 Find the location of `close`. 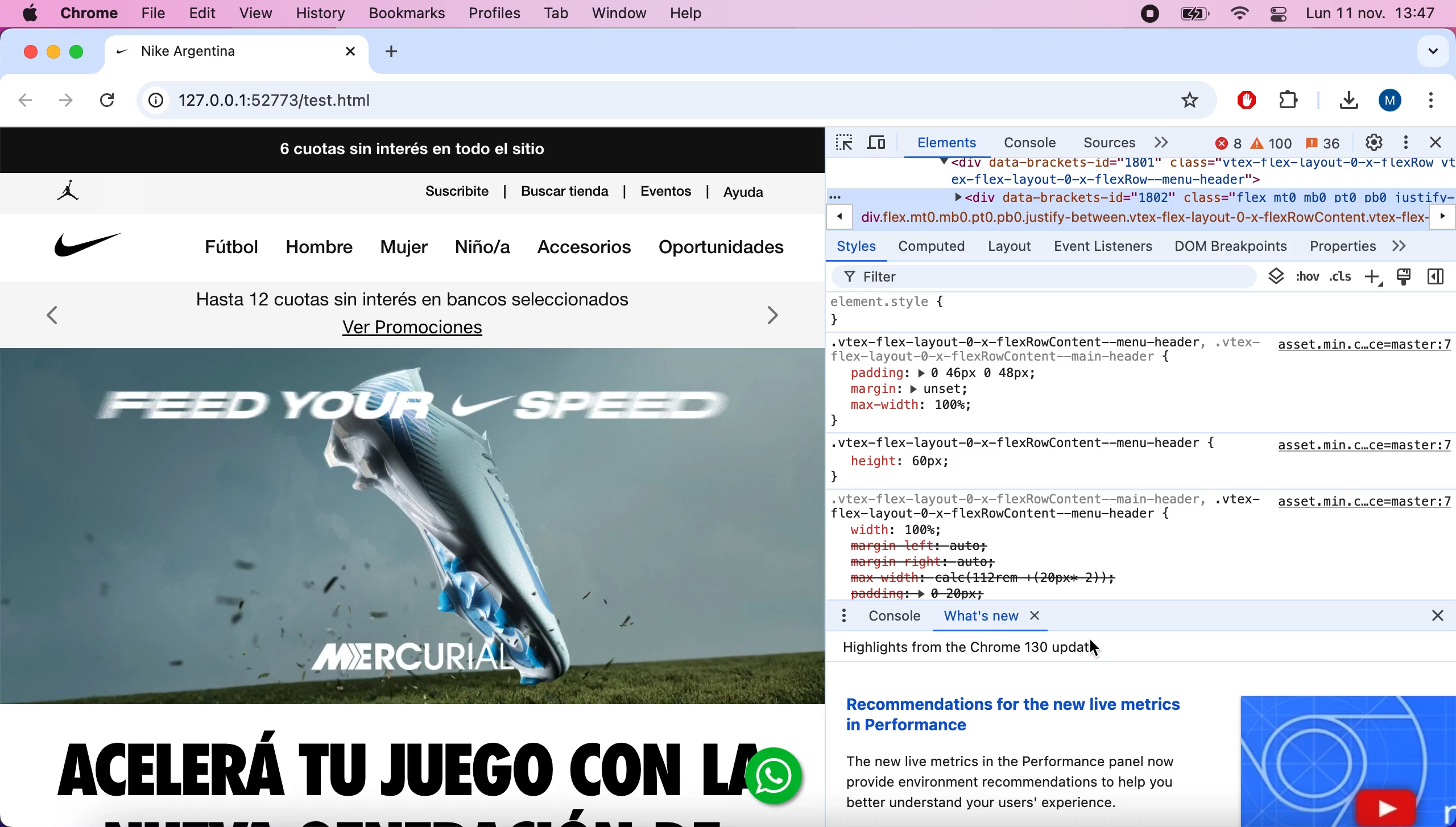

close is located at coordinates (30, 51).